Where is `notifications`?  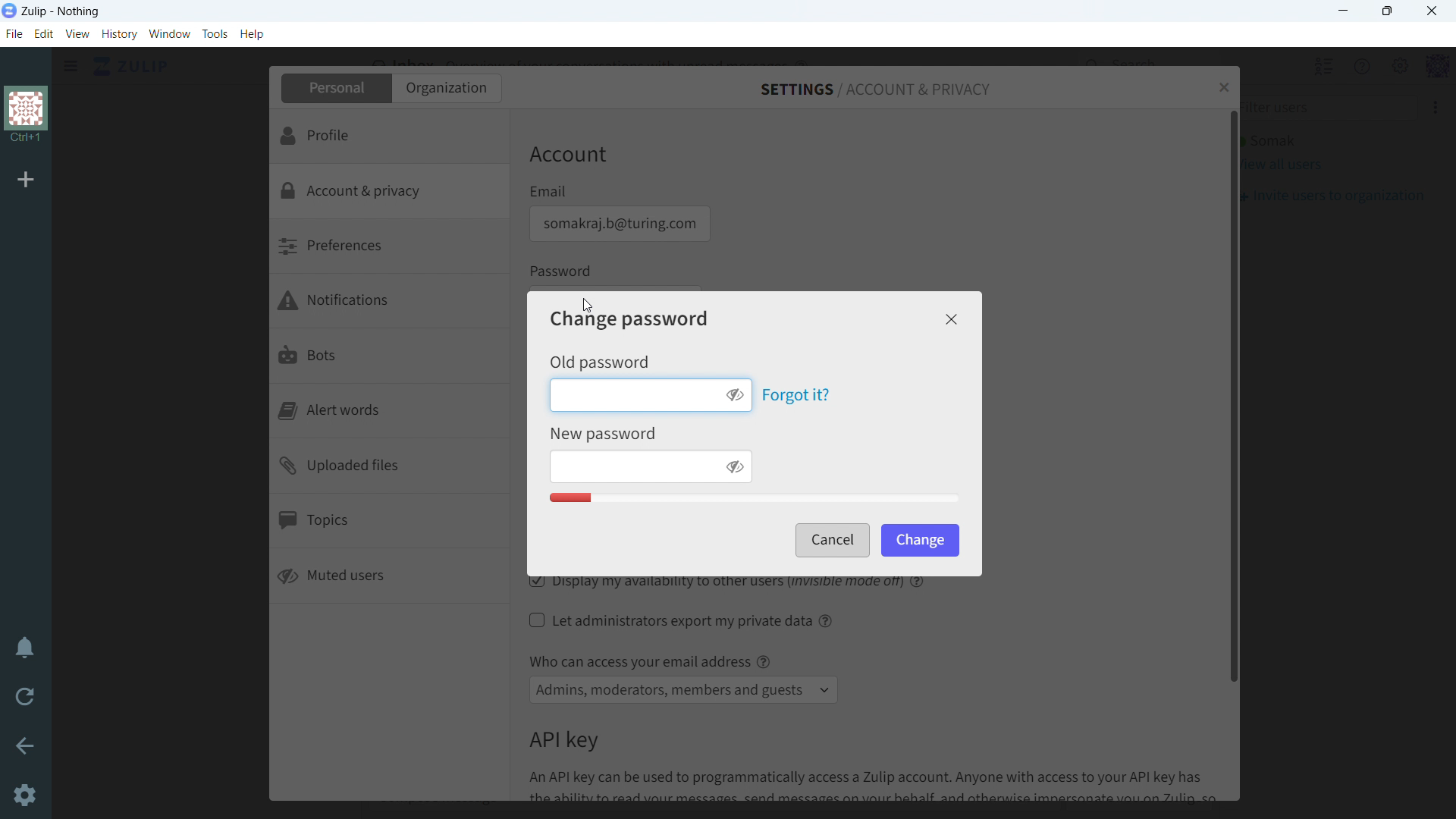
notifications is located at coordinates (391, 303).